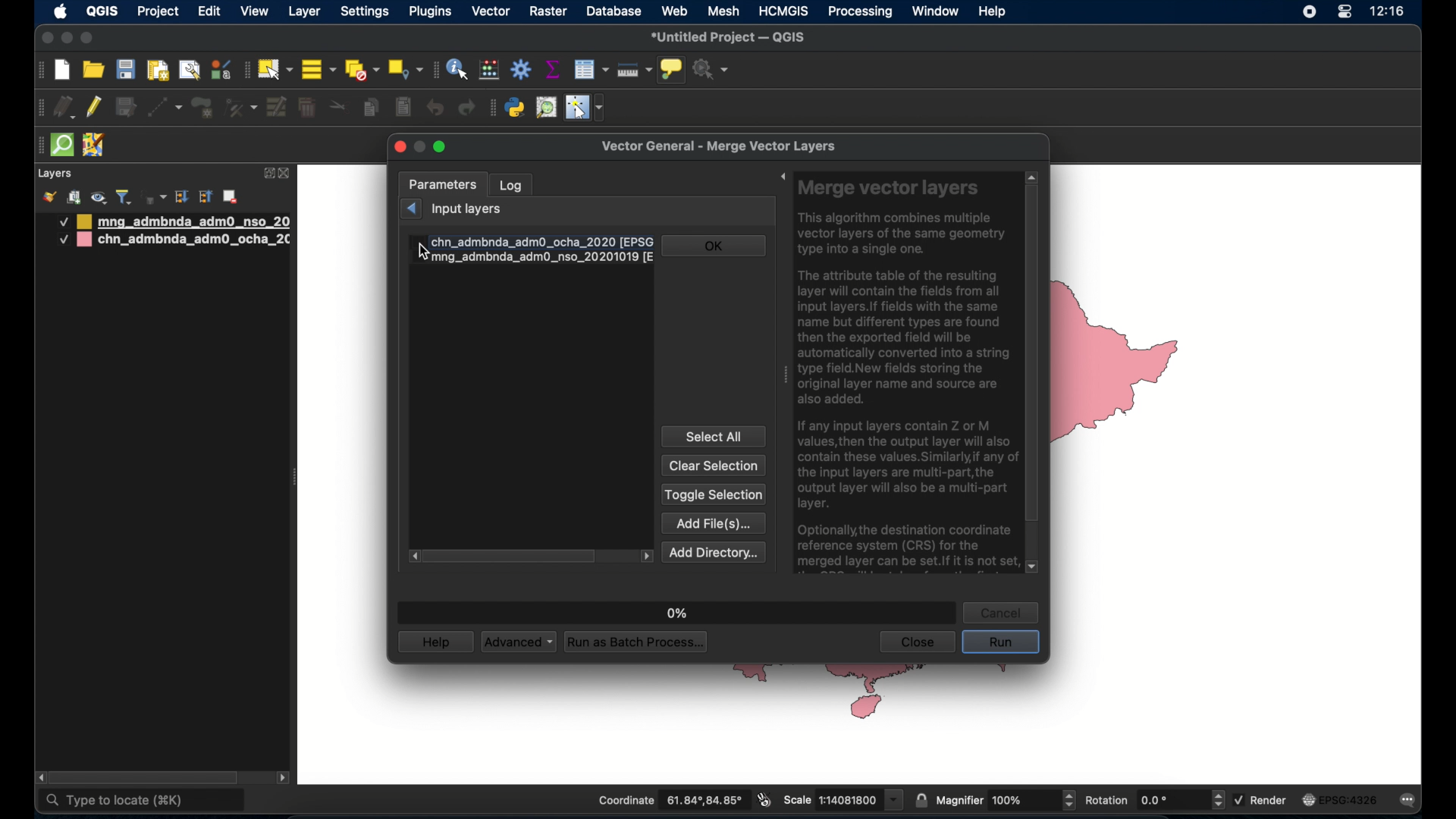 The width and height of the screenshot is (1456, 819). Describe the element at coordinates (61, 146) in the screenshot. I see `quick som` at that location.